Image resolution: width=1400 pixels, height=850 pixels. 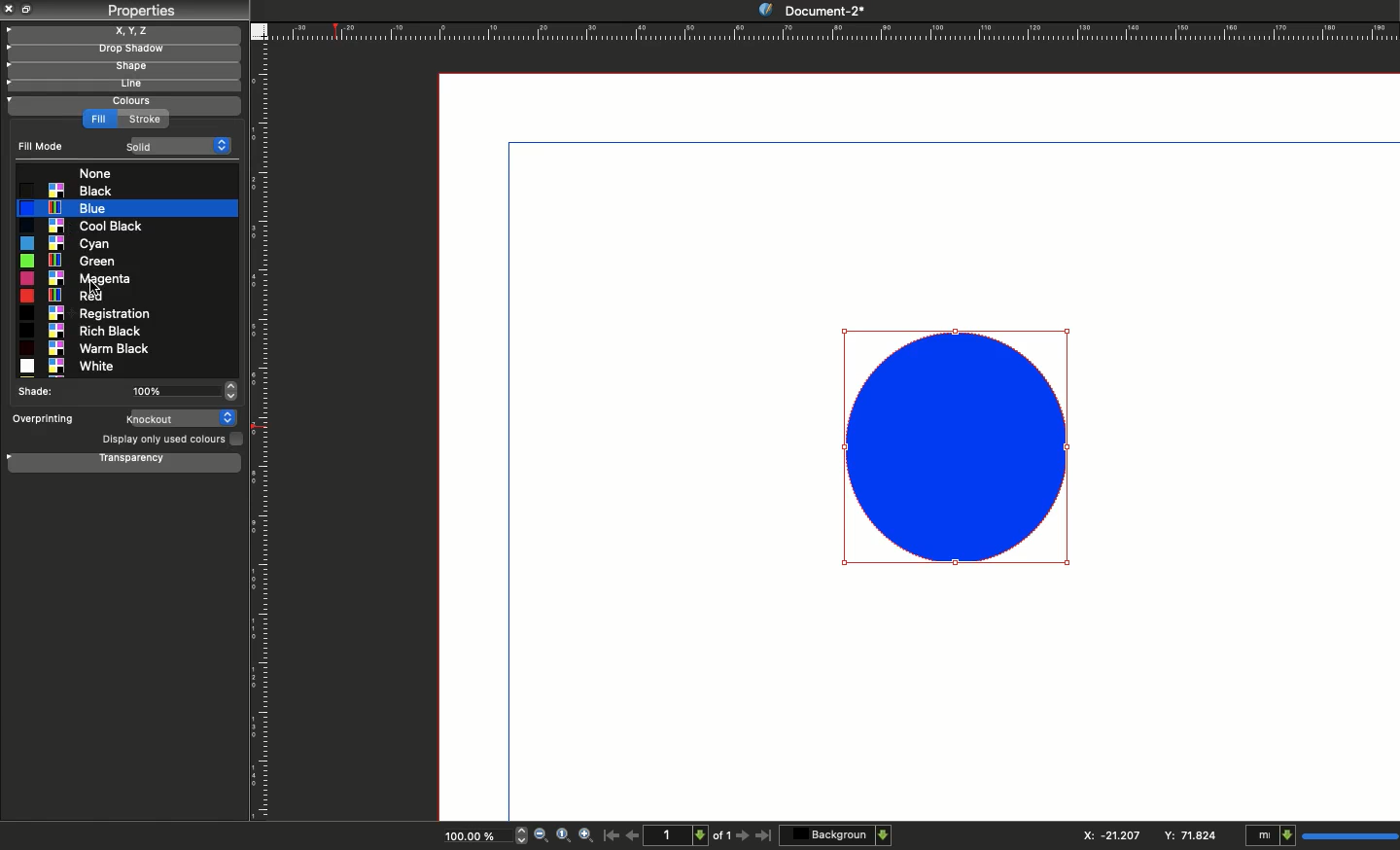 I want to click on Zoom to, so click(x=563, y=834).